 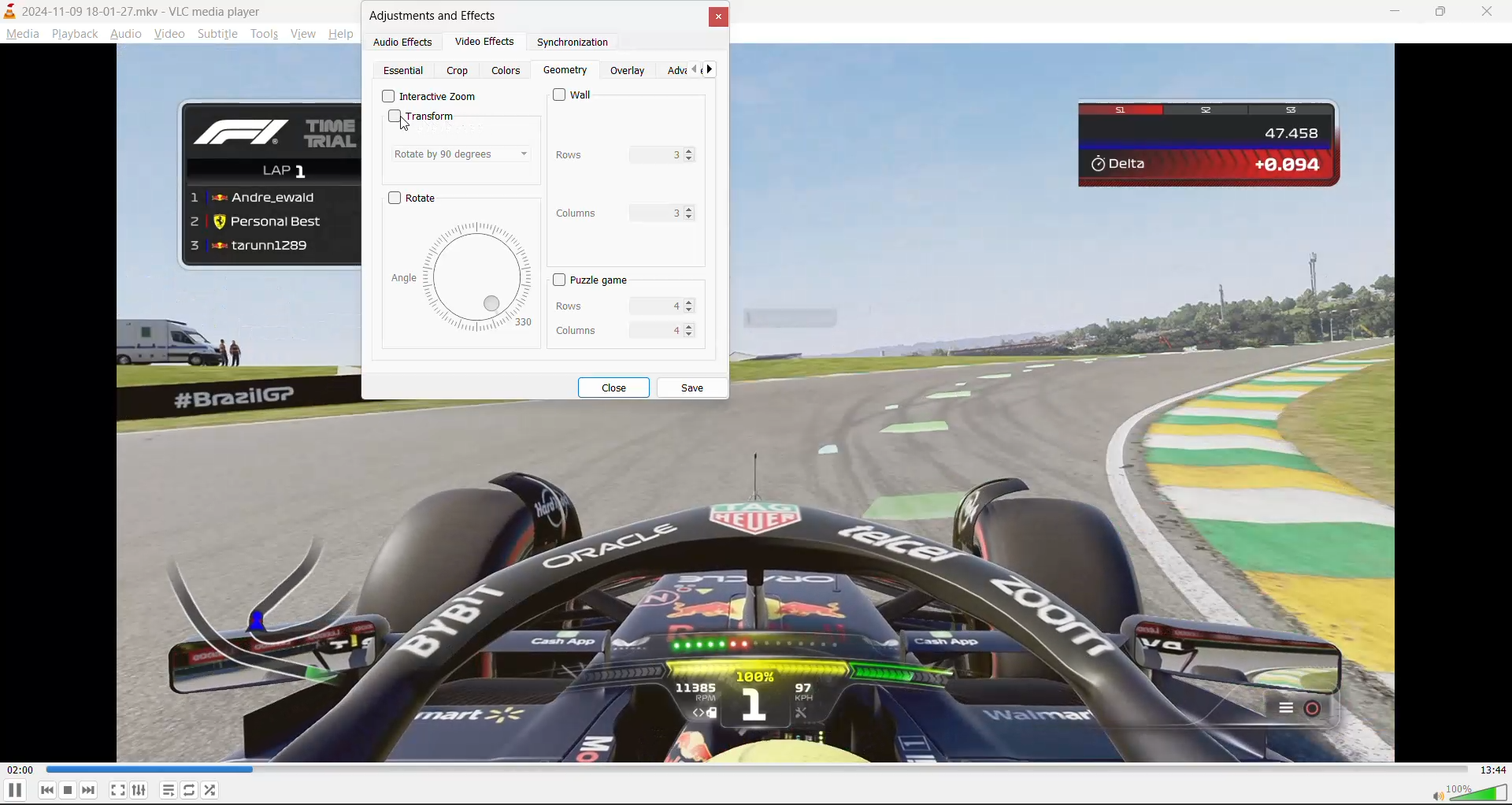 What do you see at coordinates (578, 95) in the screenshot?
I see `wall` at bounding box center [578, 95].